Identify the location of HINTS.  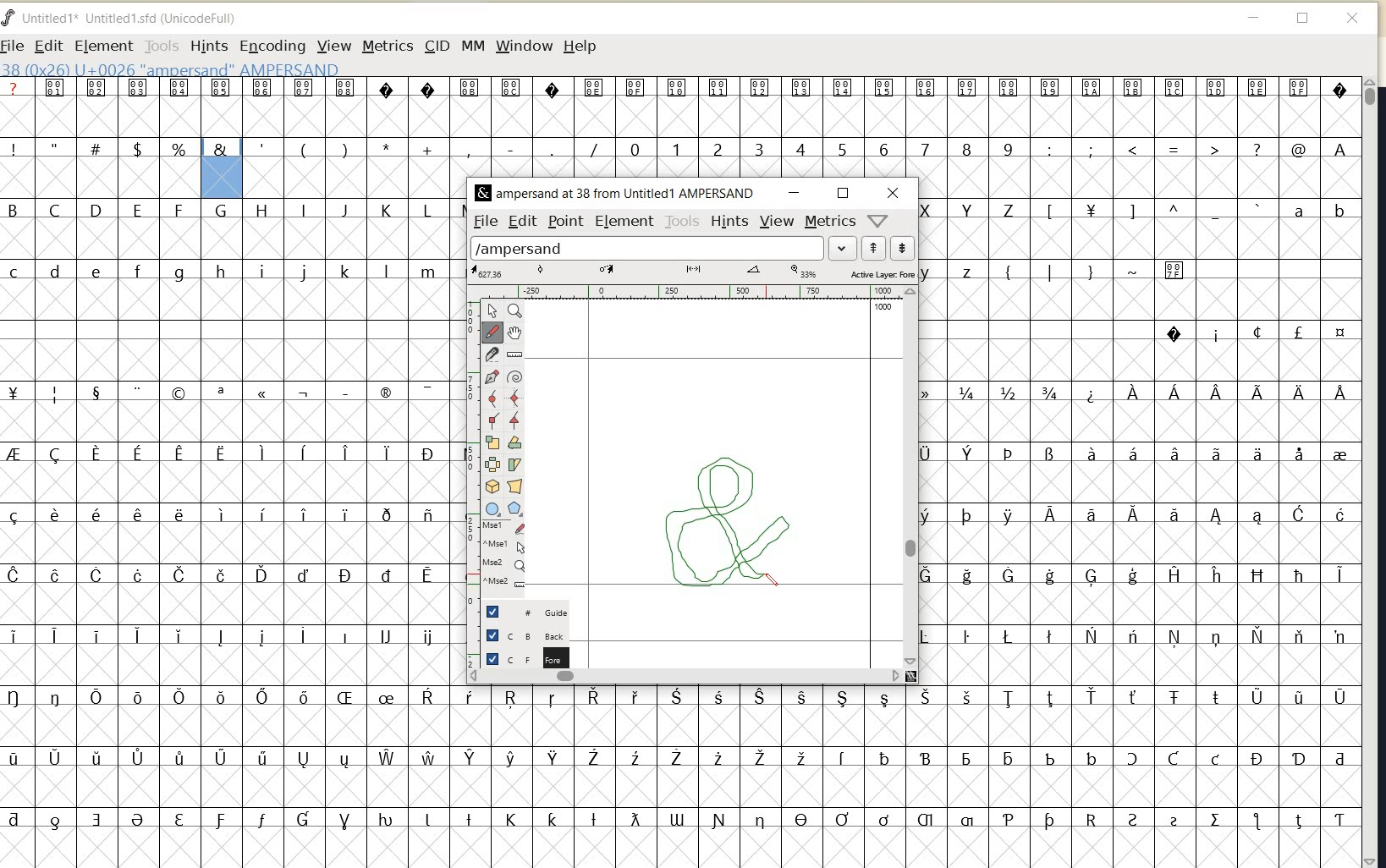
(730, 222).